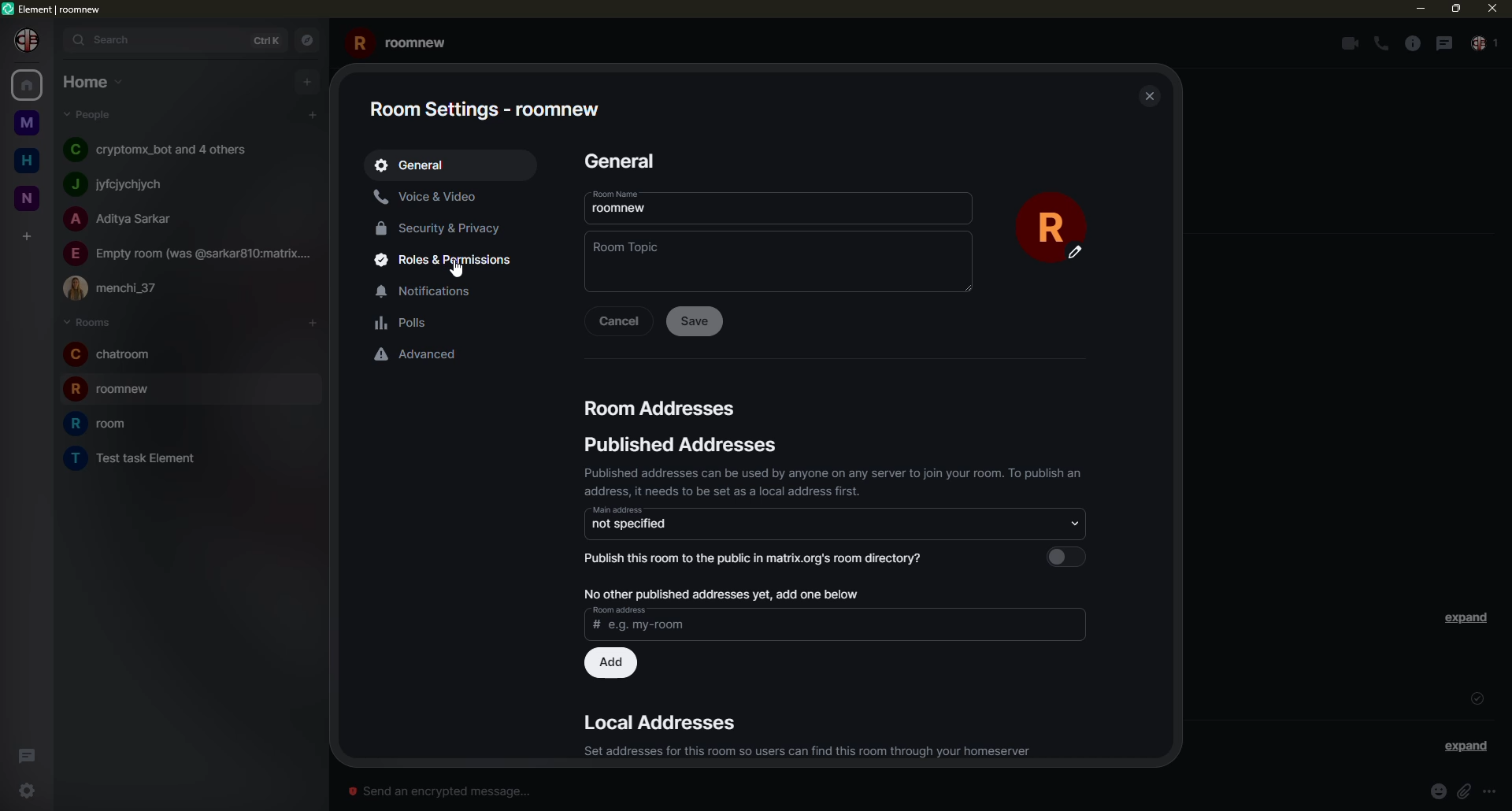  I want to click on ctrlK, so click(270, 39).